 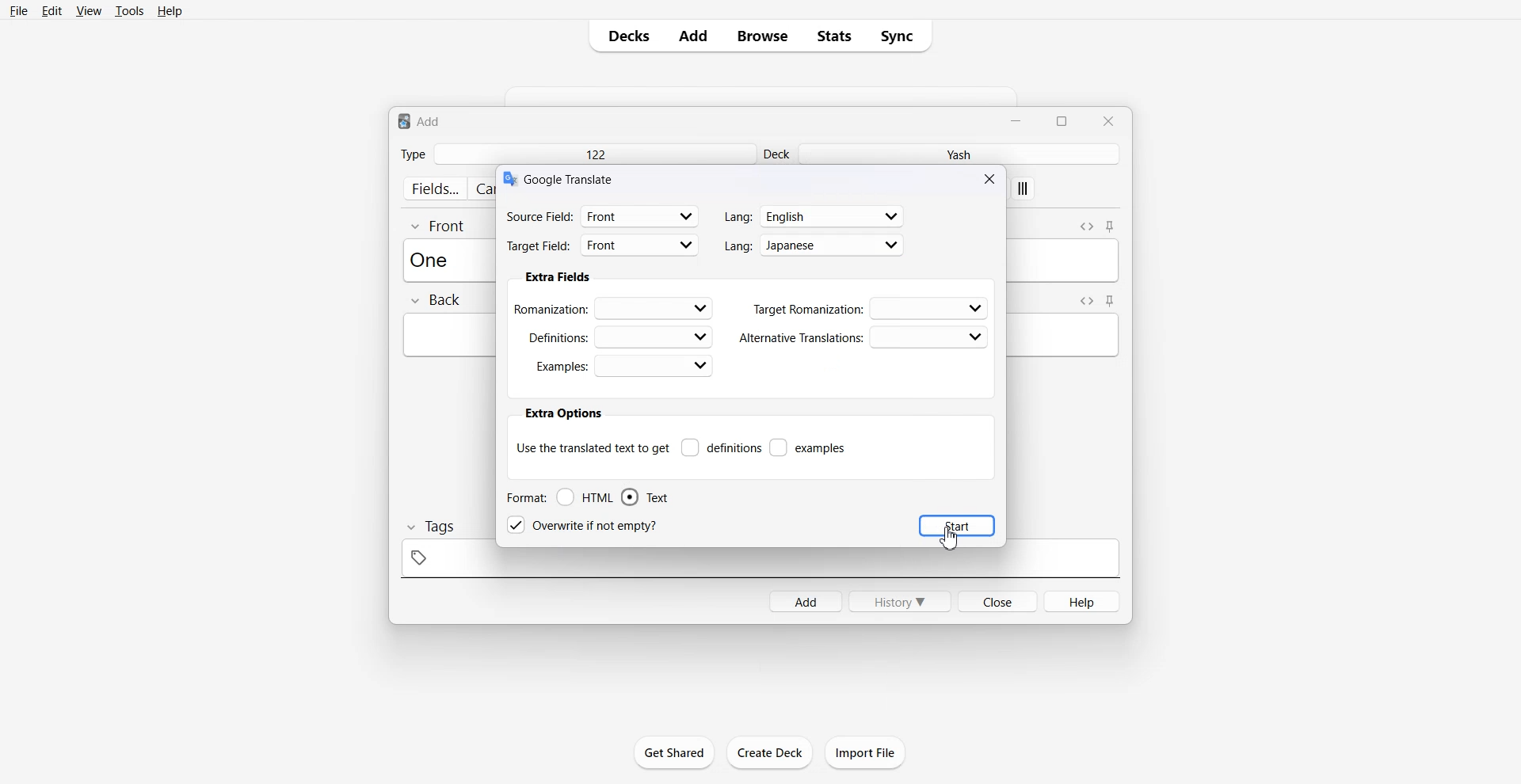 What do you see at coordinates (623, 366) in the screenshot?
I see `Examples` at bounding box center [623, 366].